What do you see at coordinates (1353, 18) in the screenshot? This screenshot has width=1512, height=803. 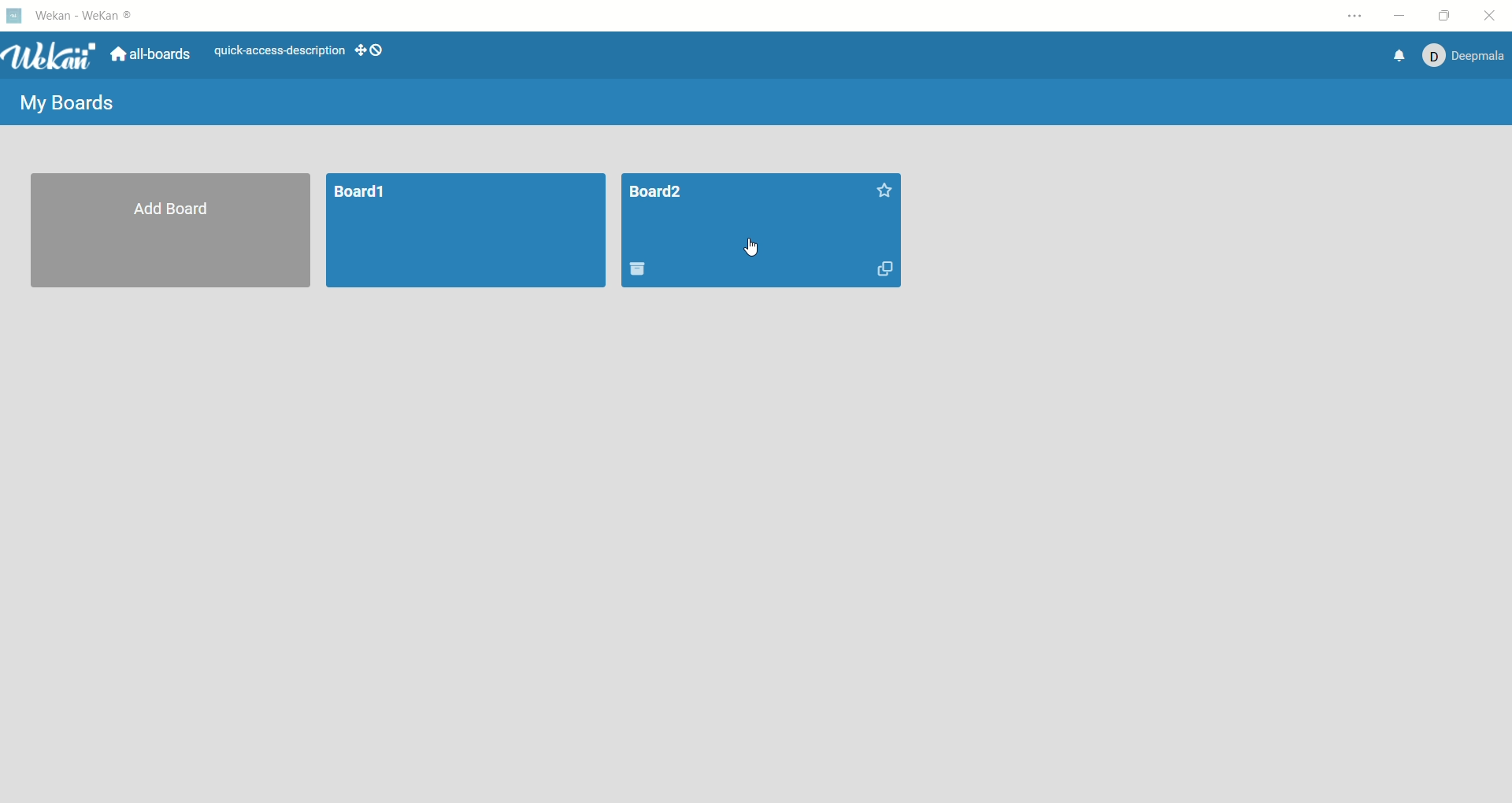 I see `settings and more` at bounding box center [1353, 18].